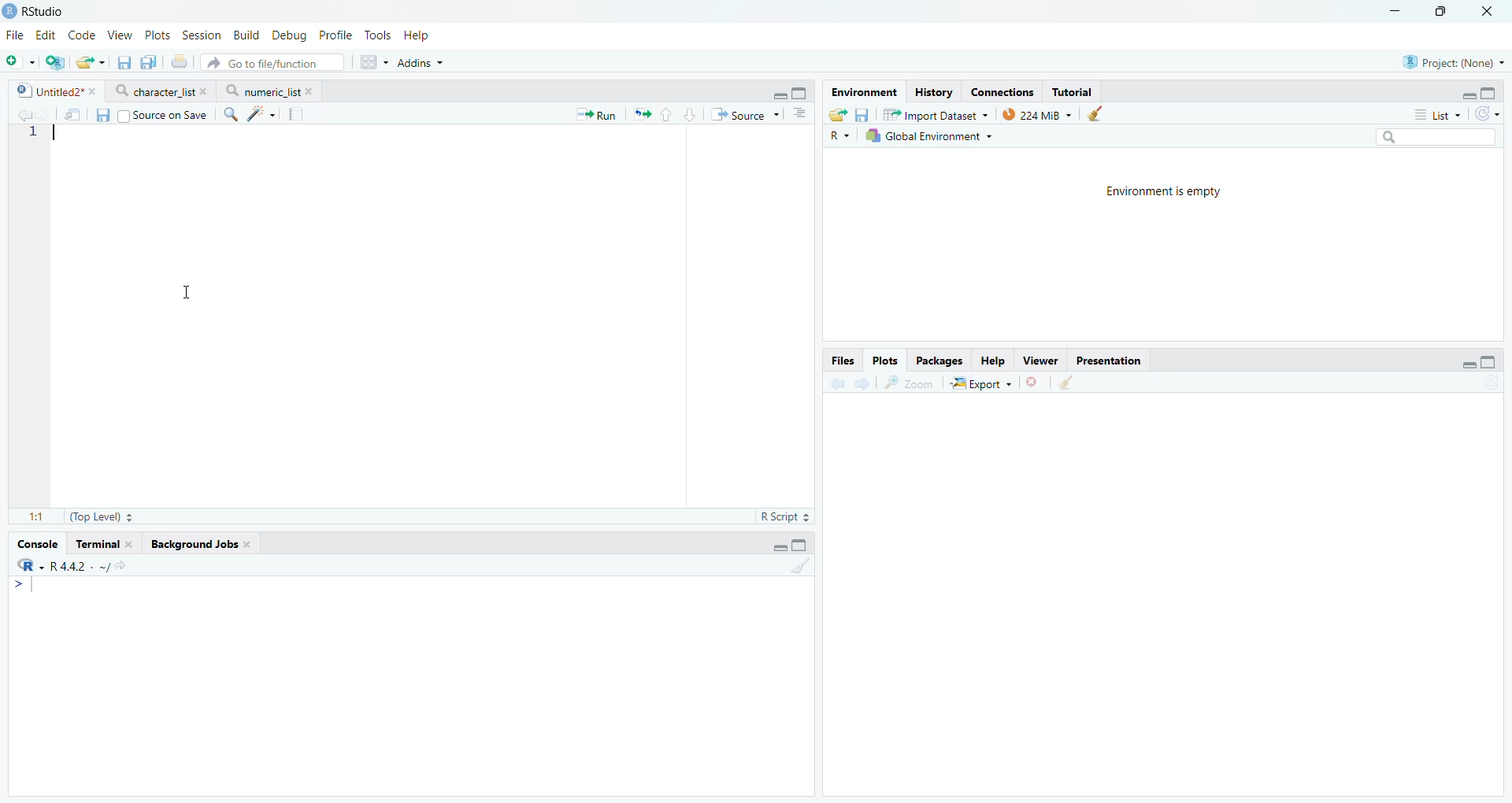 The image size is (1512, 803). I want to click on (Top Level), so click(100, 517).